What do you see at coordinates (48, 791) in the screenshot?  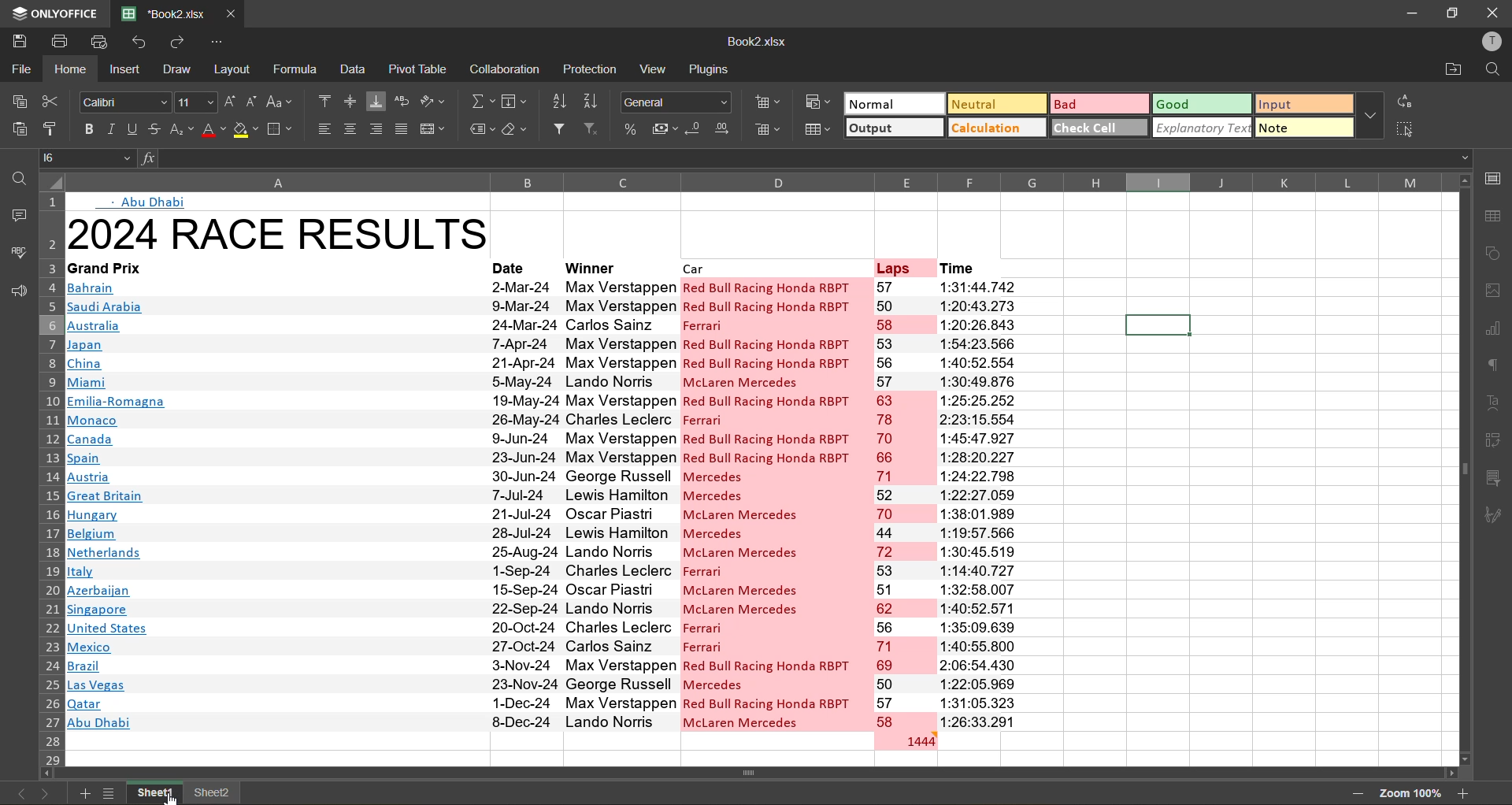 I see `next` at bounding box center [48, 791].